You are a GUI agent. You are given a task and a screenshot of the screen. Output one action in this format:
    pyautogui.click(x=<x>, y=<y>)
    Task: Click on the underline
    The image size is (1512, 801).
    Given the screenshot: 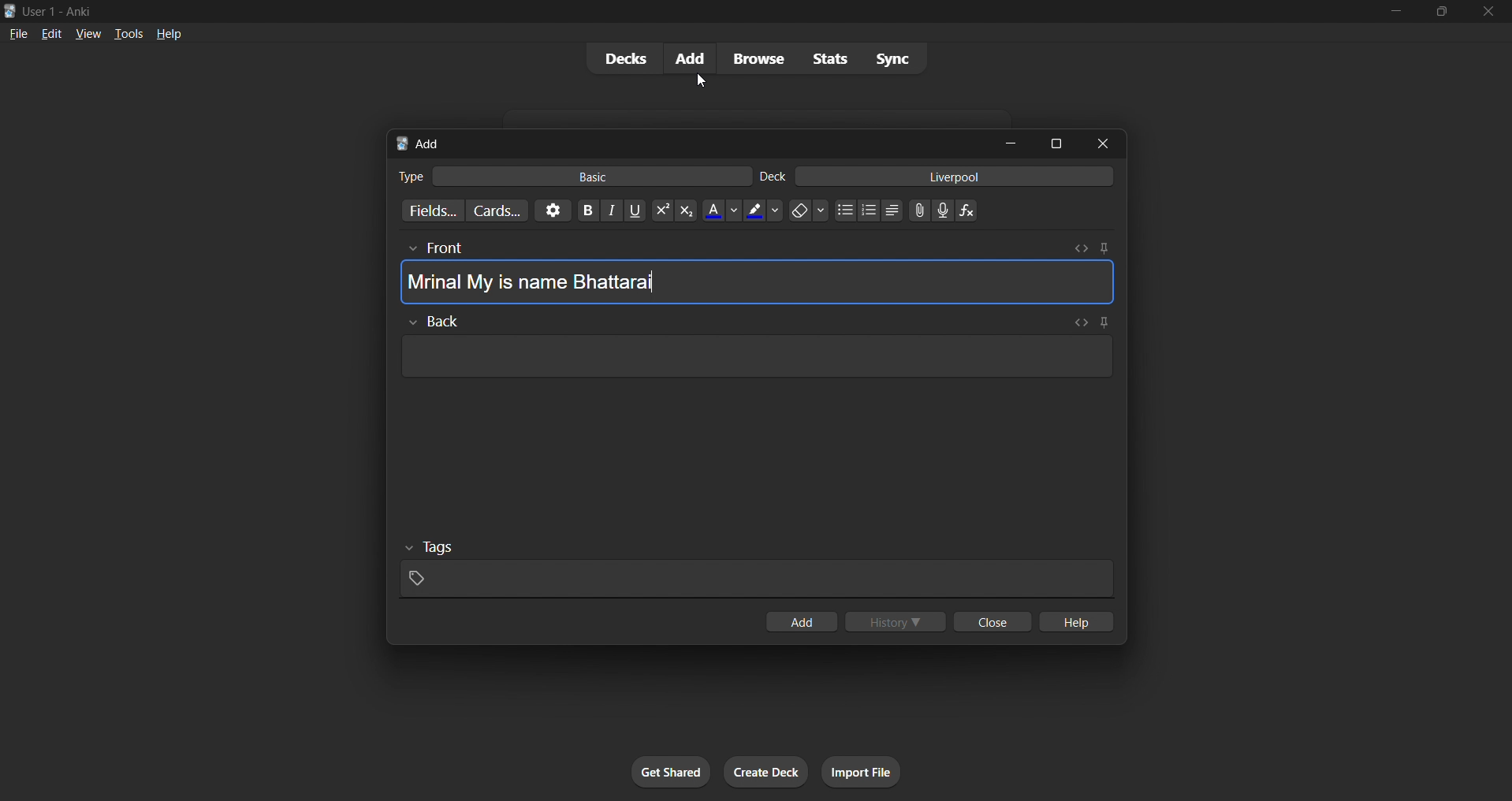 What is the action you would take?
    pyautogui.click(x=630, y=210)
    